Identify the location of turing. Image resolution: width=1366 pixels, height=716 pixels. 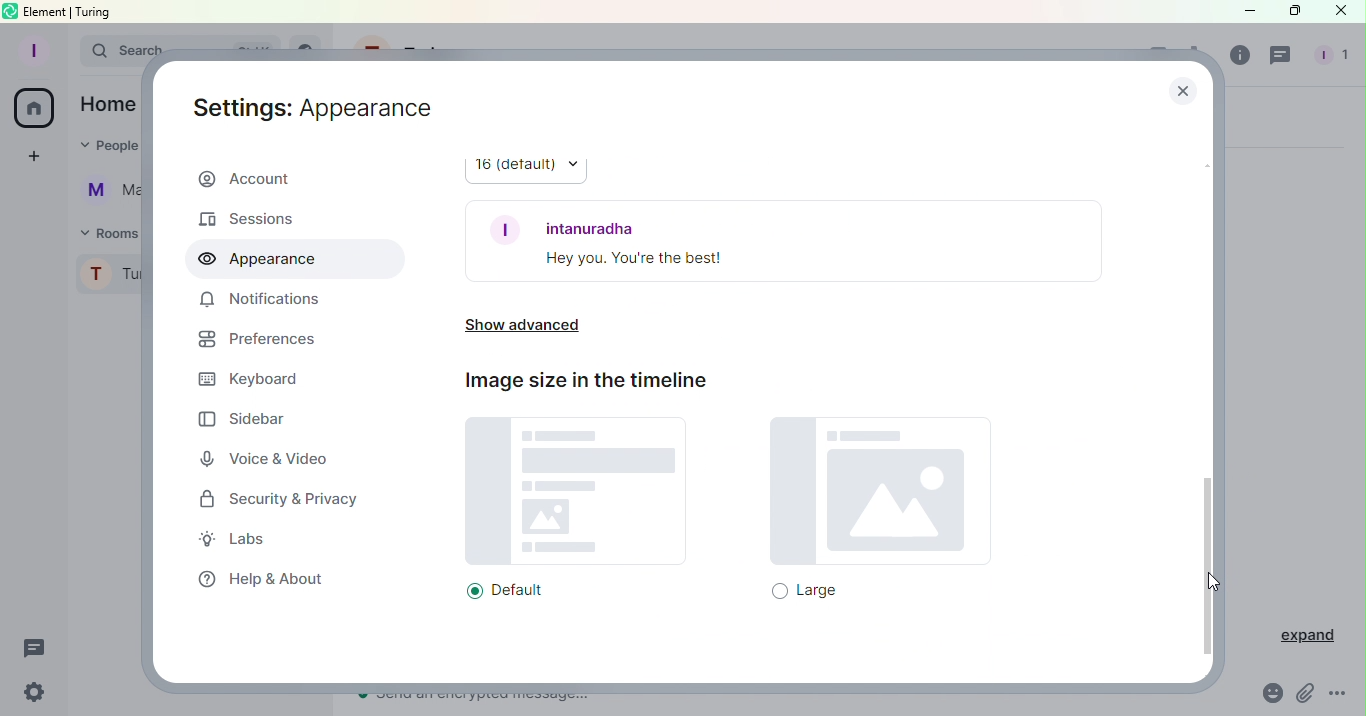
(97, 12).